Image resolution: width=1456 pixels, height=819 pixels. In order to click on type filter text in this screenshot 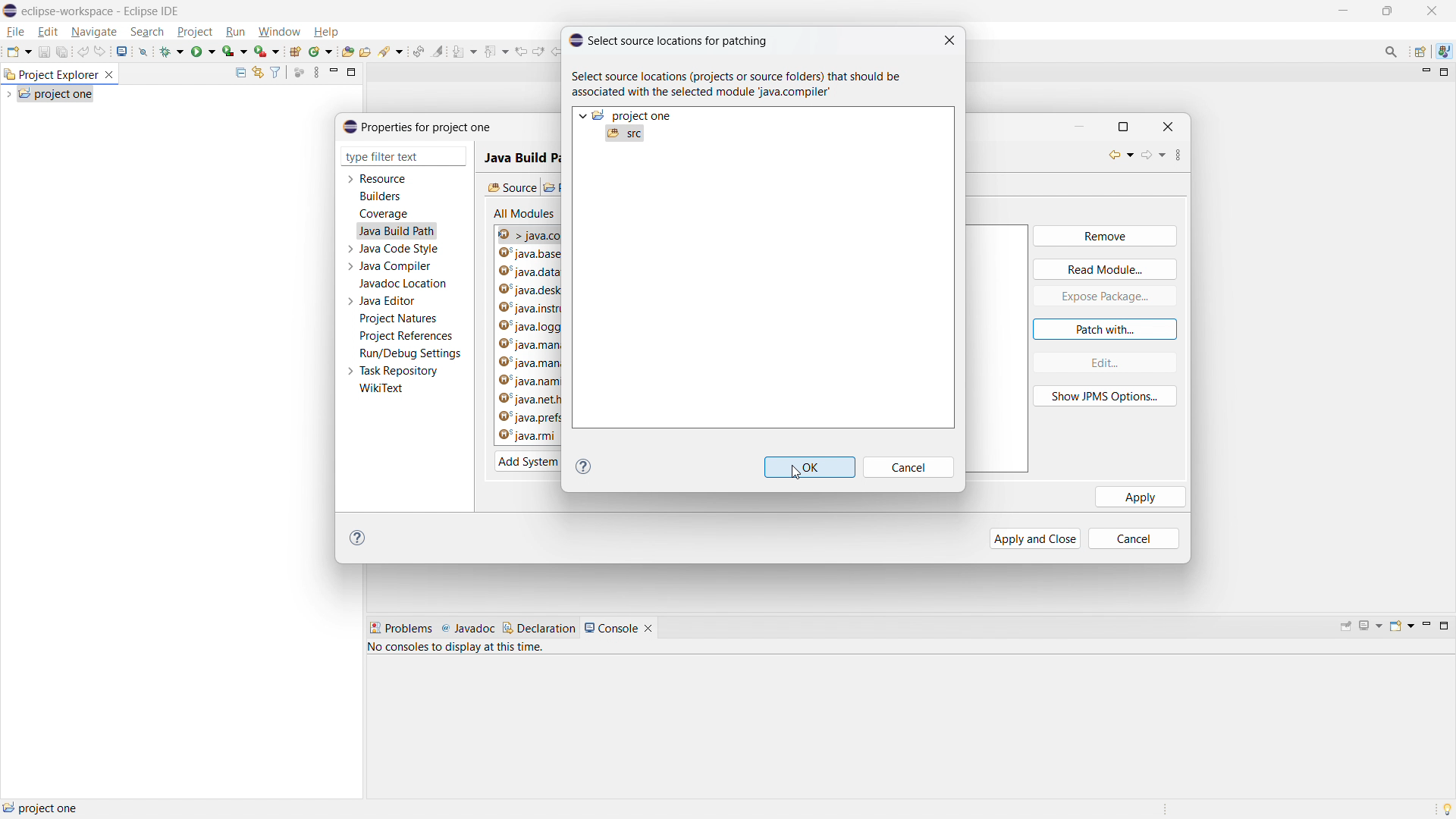, I will do `click(394, 157)`.